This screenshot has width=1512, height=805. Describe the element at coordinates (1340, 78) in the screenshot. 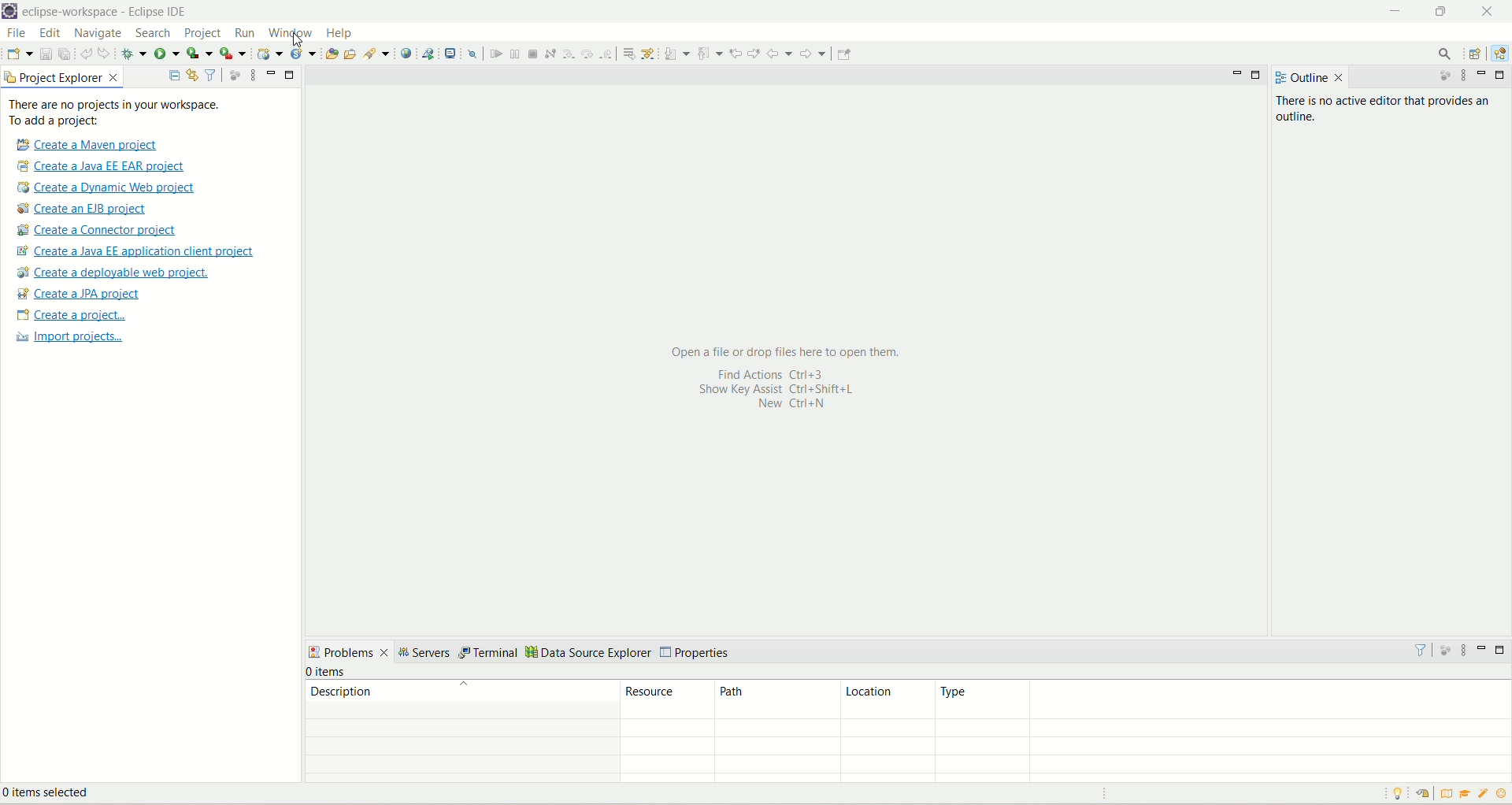

I see `close` at that location.